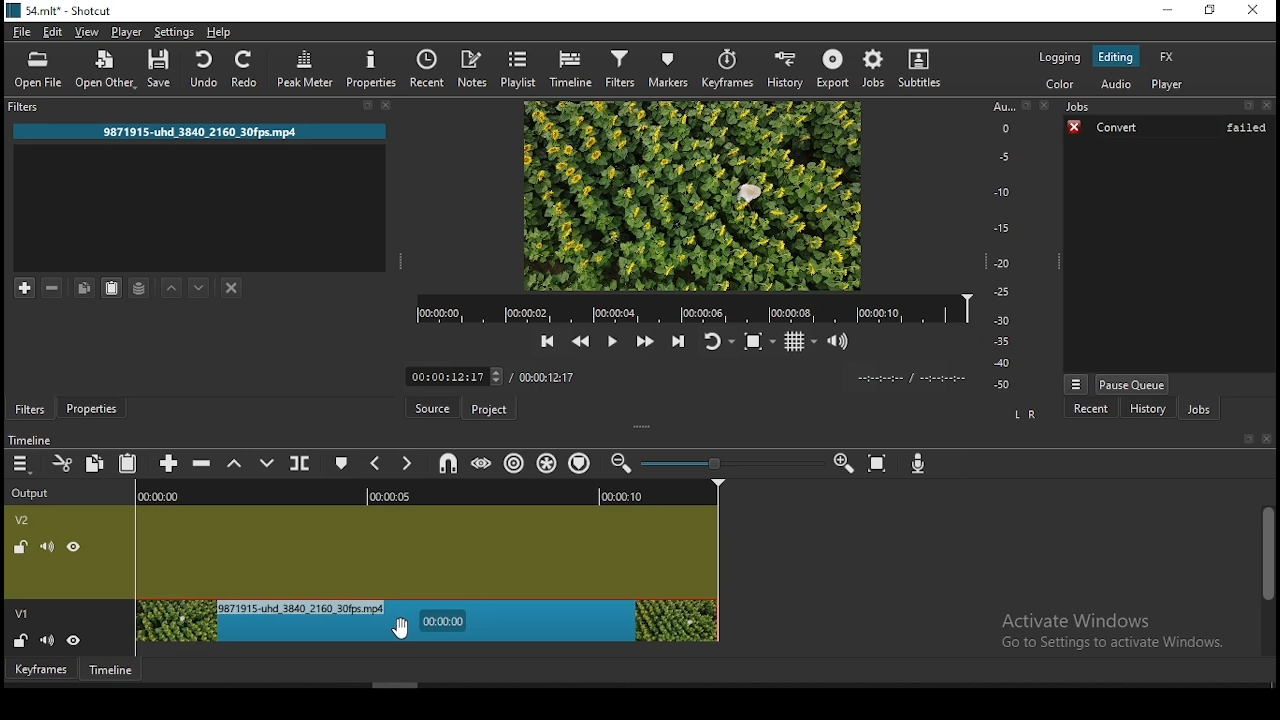  Describe the element at coordinates (32, 441) in the screenshot. I see `timeline` at that location.